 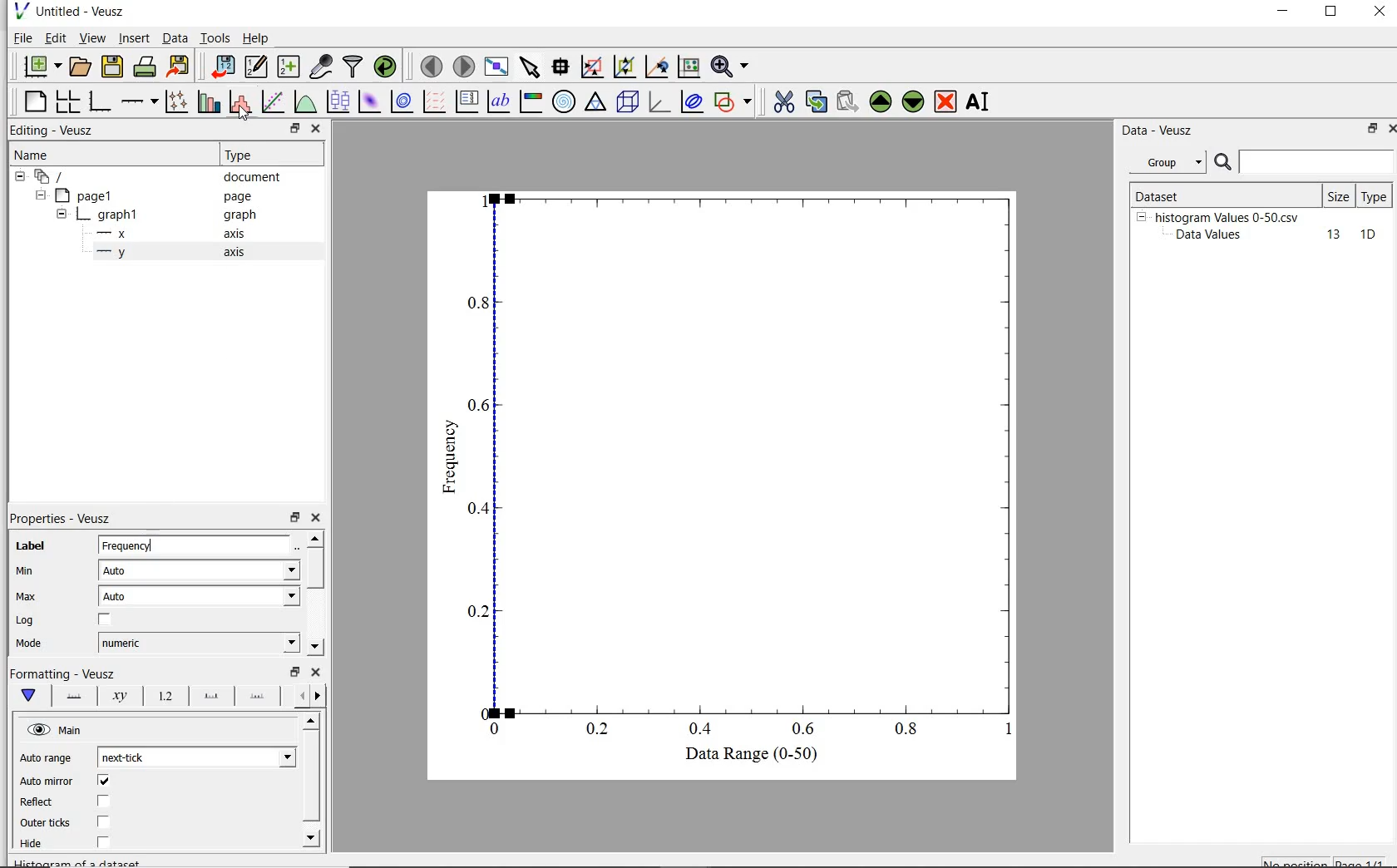 I want to click on major ticks, so click(x=210, y=697).